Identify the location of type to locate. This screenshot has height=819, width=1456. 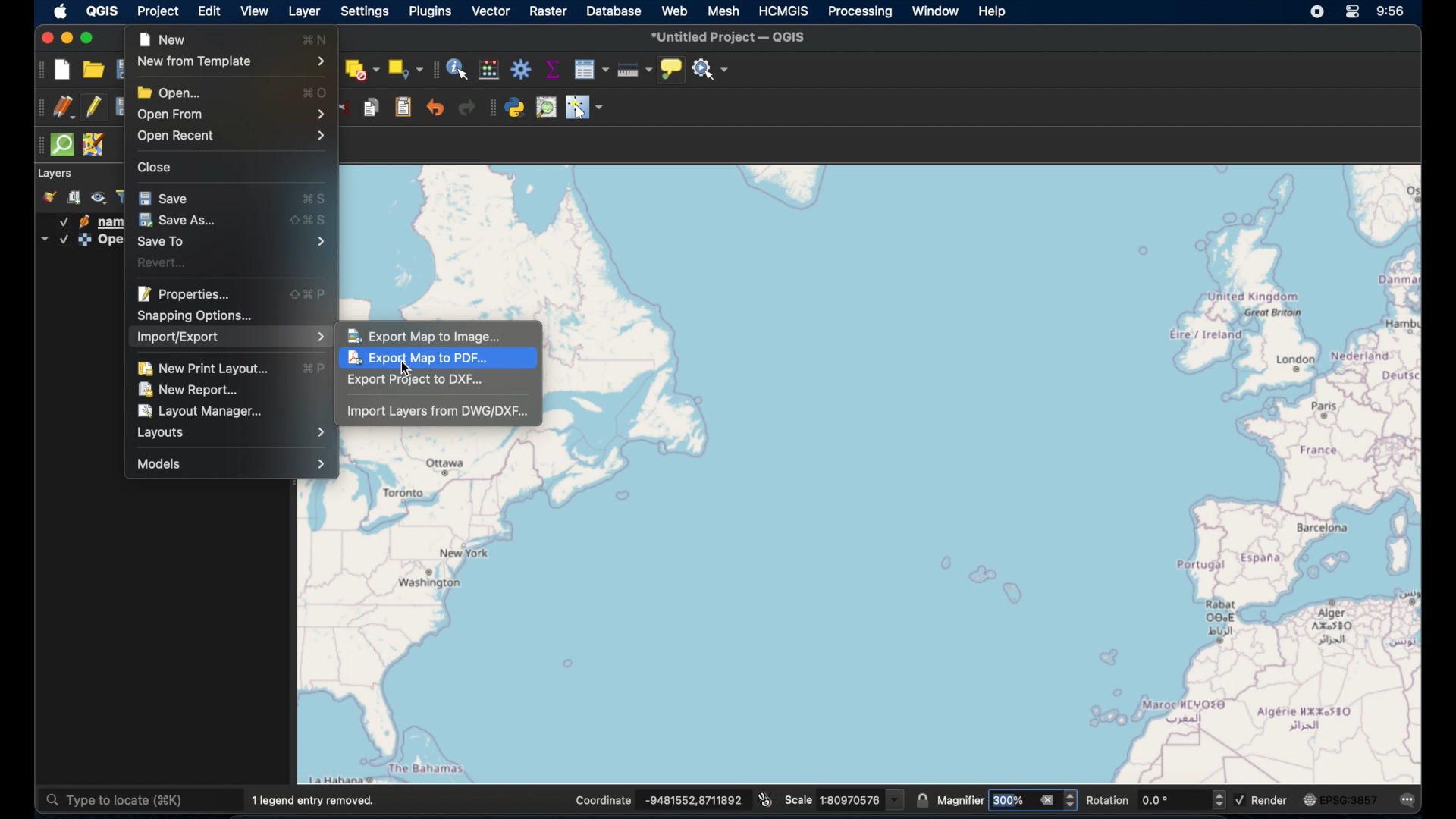
(139, 799).